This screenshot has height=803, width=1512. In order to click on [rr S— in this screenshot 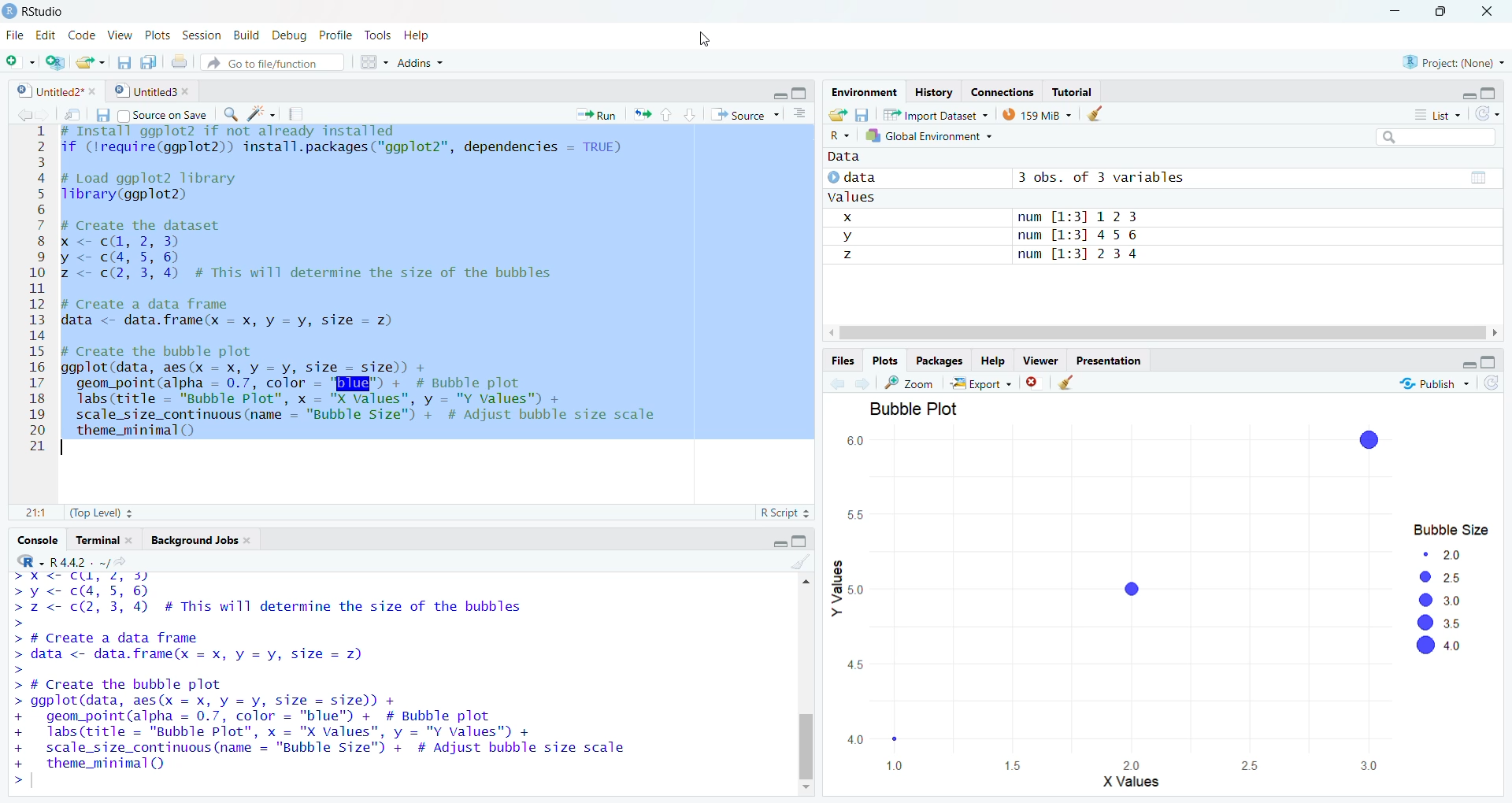, I will do `click(862, 88)`.